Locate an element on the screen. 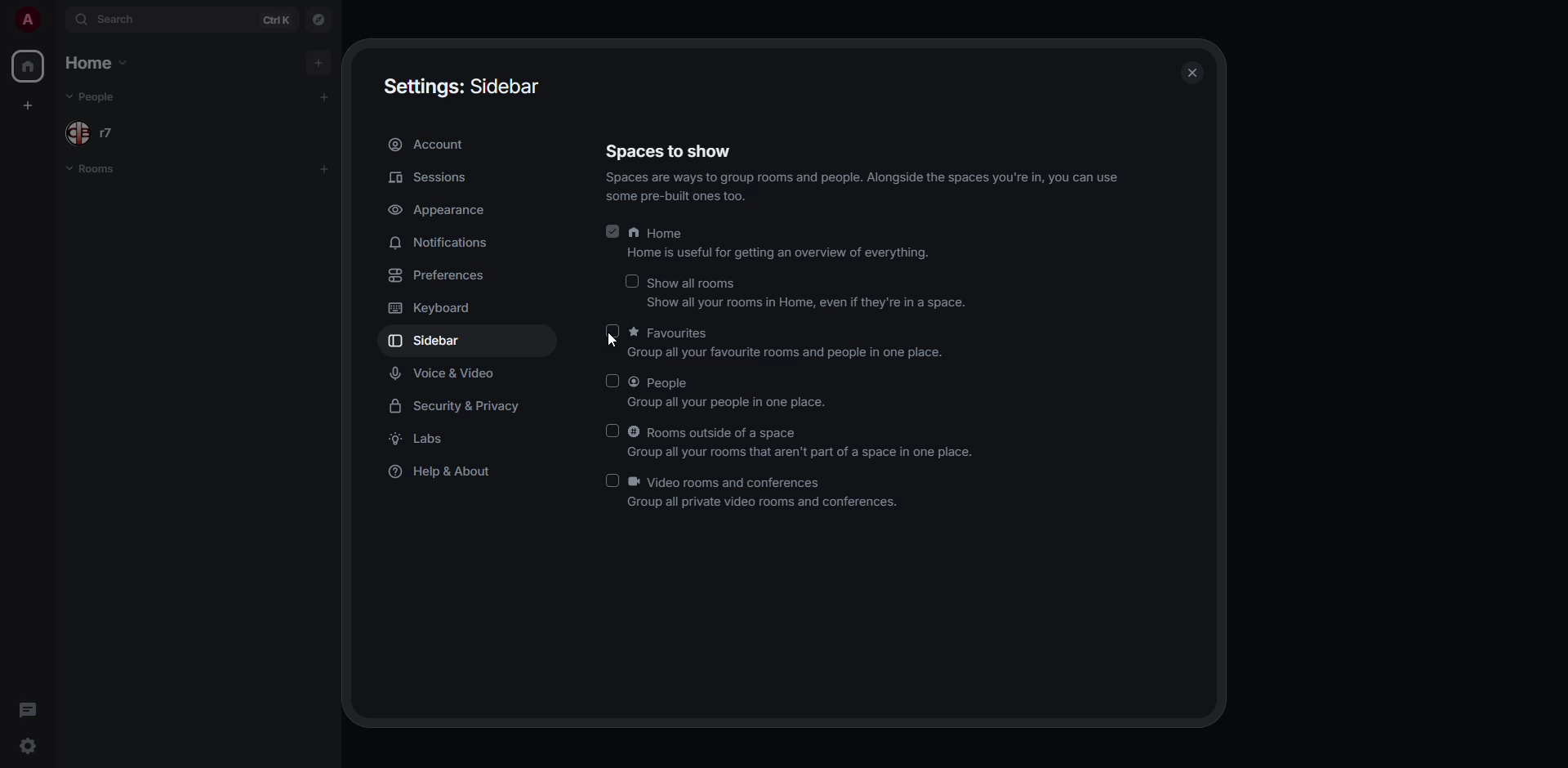 This screenshot has width=1568, height=768. notifications is located at coordinates (437, 242).